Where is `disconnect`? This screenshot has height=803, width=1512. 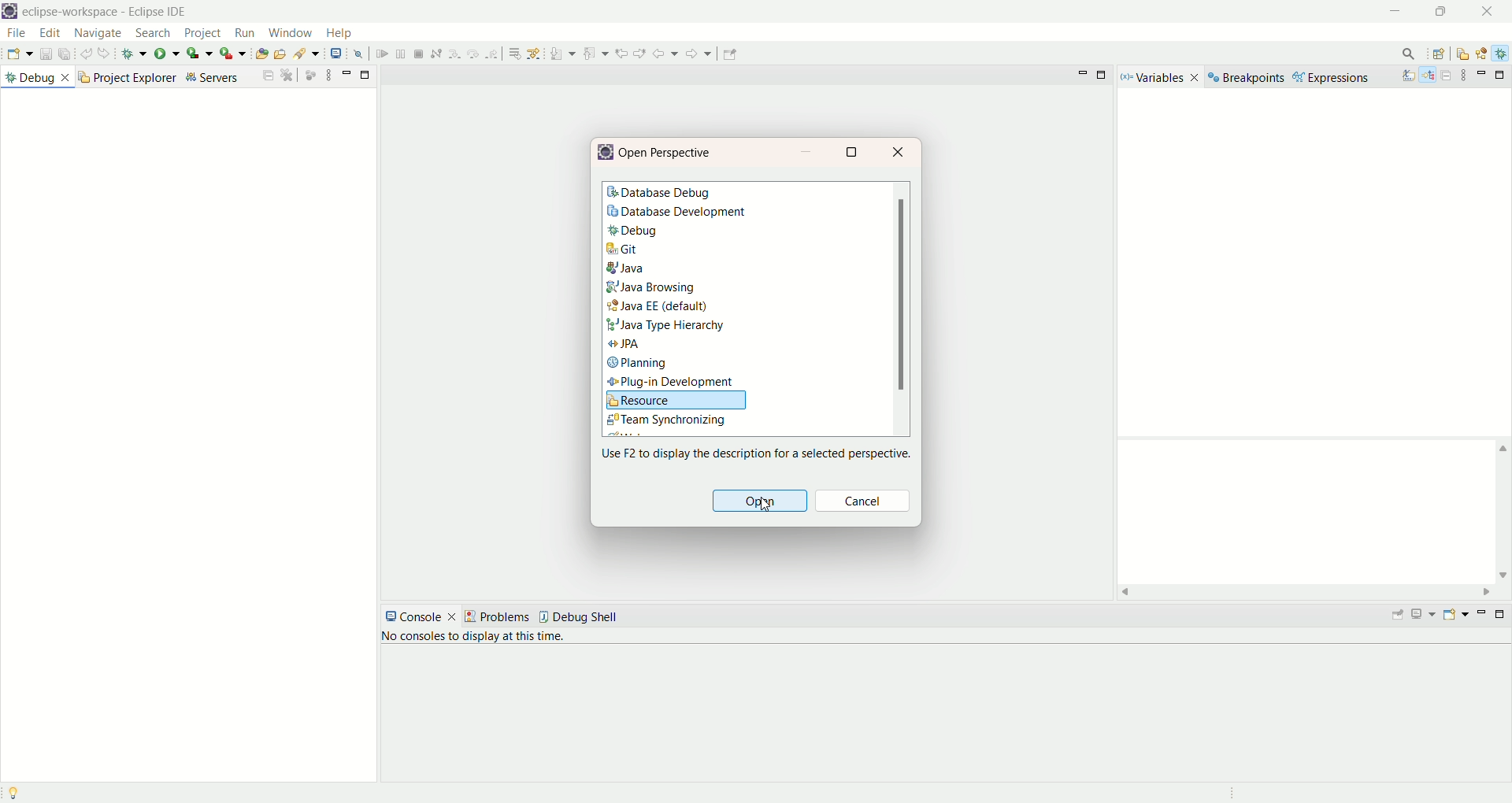 disconnect is located at coordinates (550, 53).